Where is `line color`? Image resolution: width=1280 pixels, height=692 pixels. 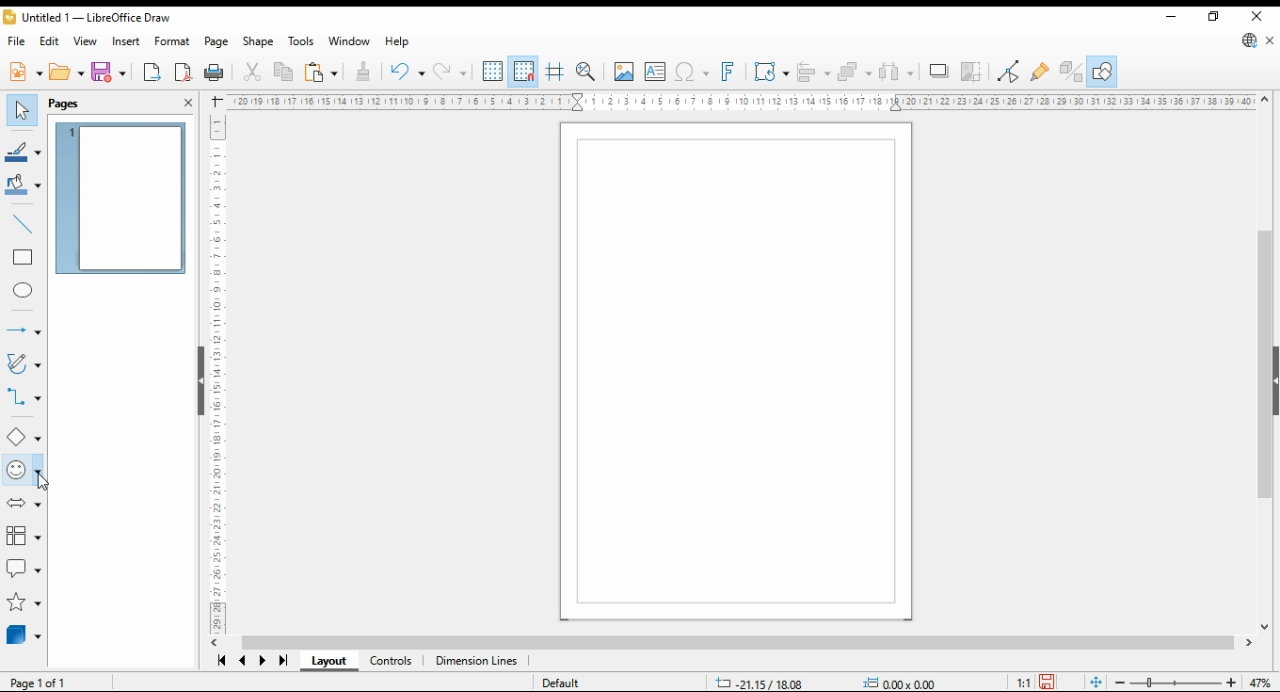 line color is located at coordinates (25, 150).